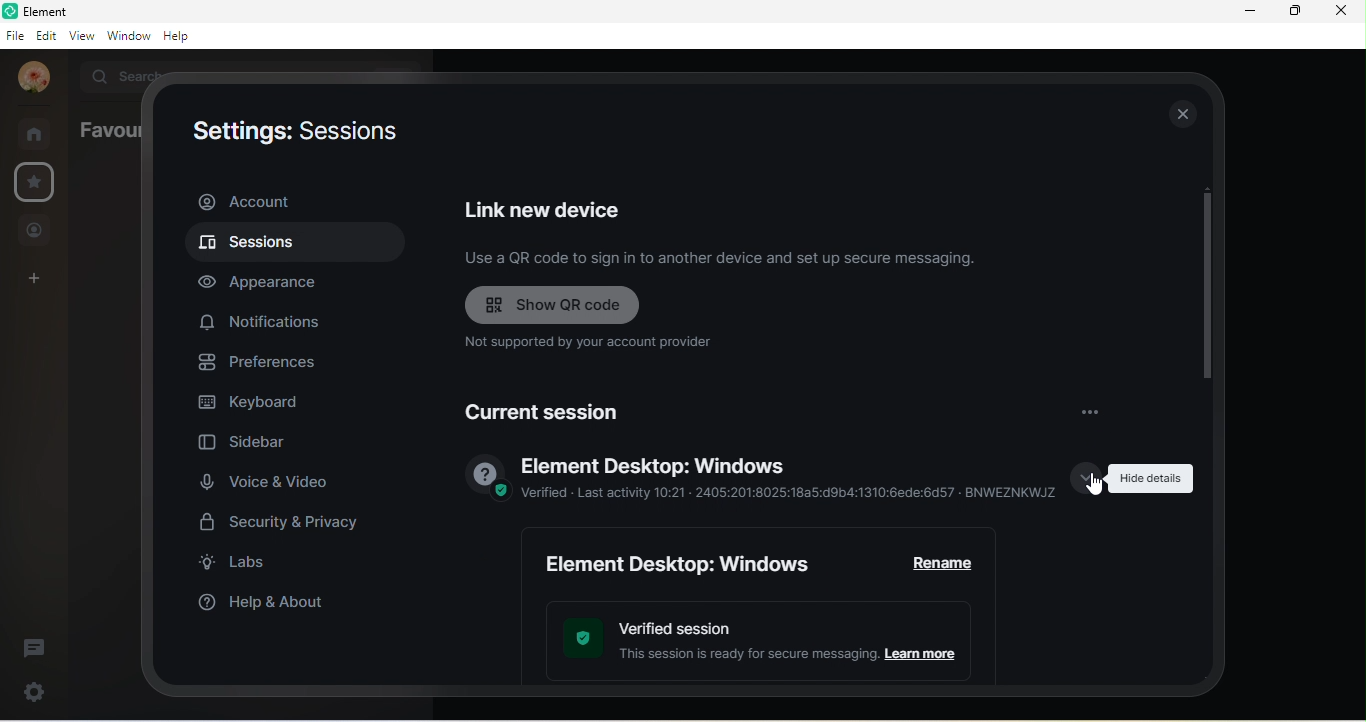 Image resolution: width=1366 pixels, height=722 pixels. I want to click on show details, so click(1086, 476).